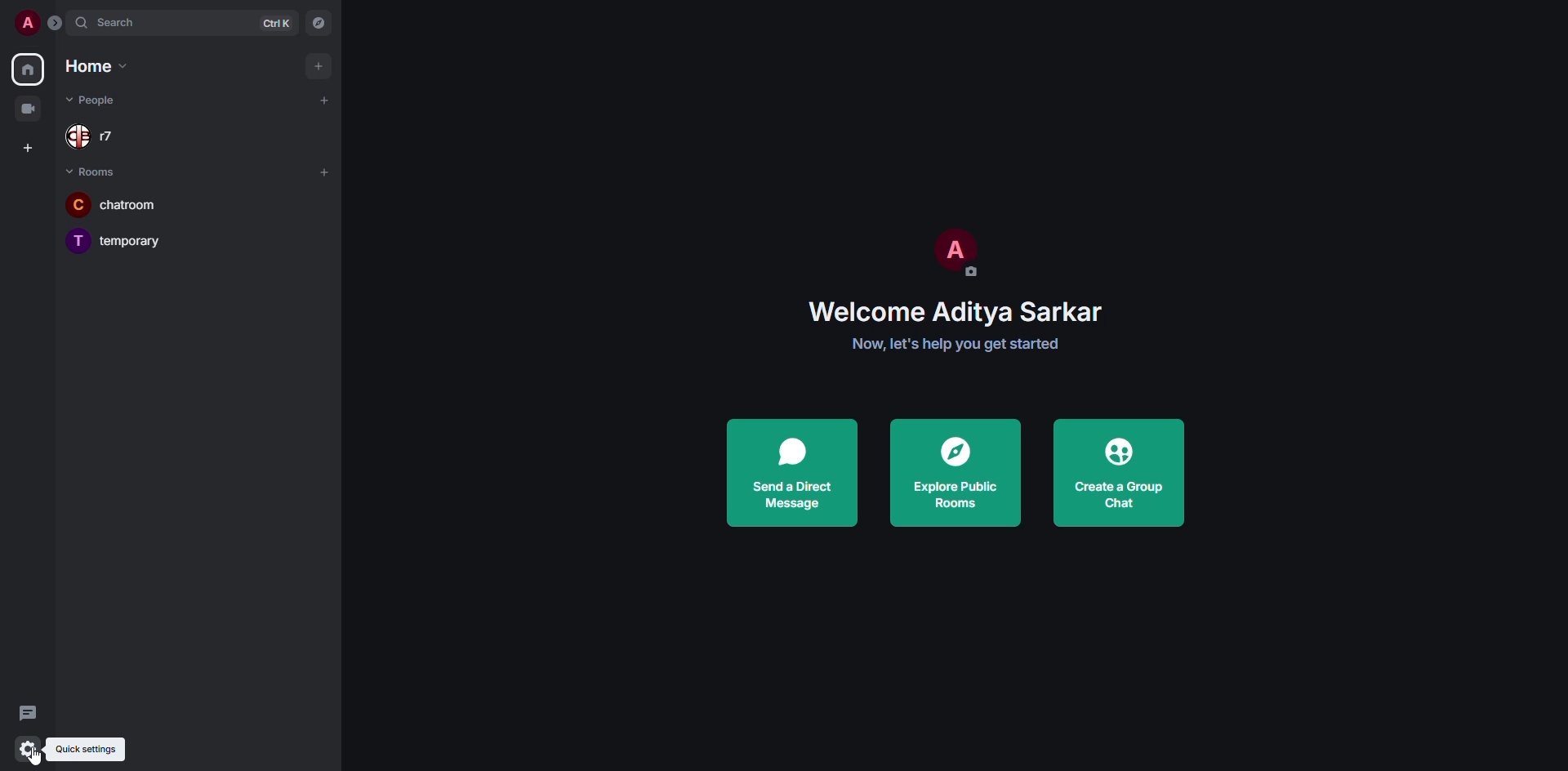 Image resolution: width=1568 pixels, height=771 pixels. I want to click on people, so click(94, 100).